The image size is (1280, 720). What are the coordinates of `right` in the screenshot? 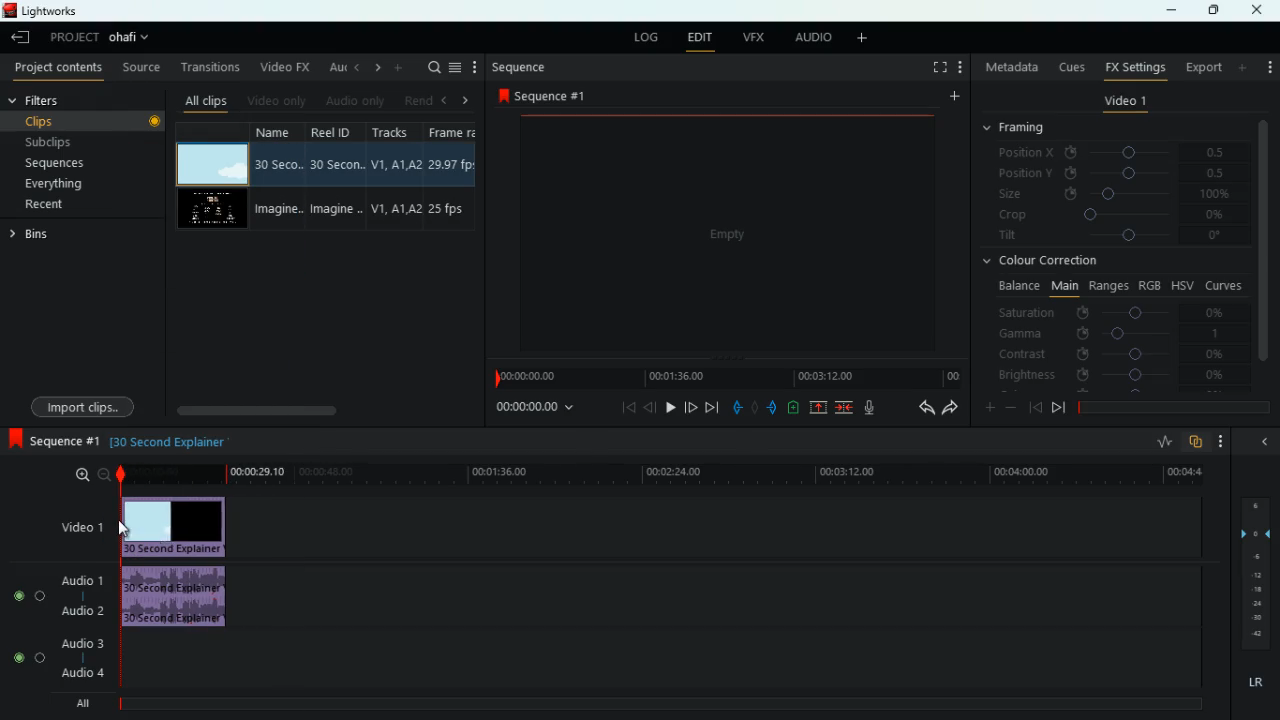 It's located at (465, 100).